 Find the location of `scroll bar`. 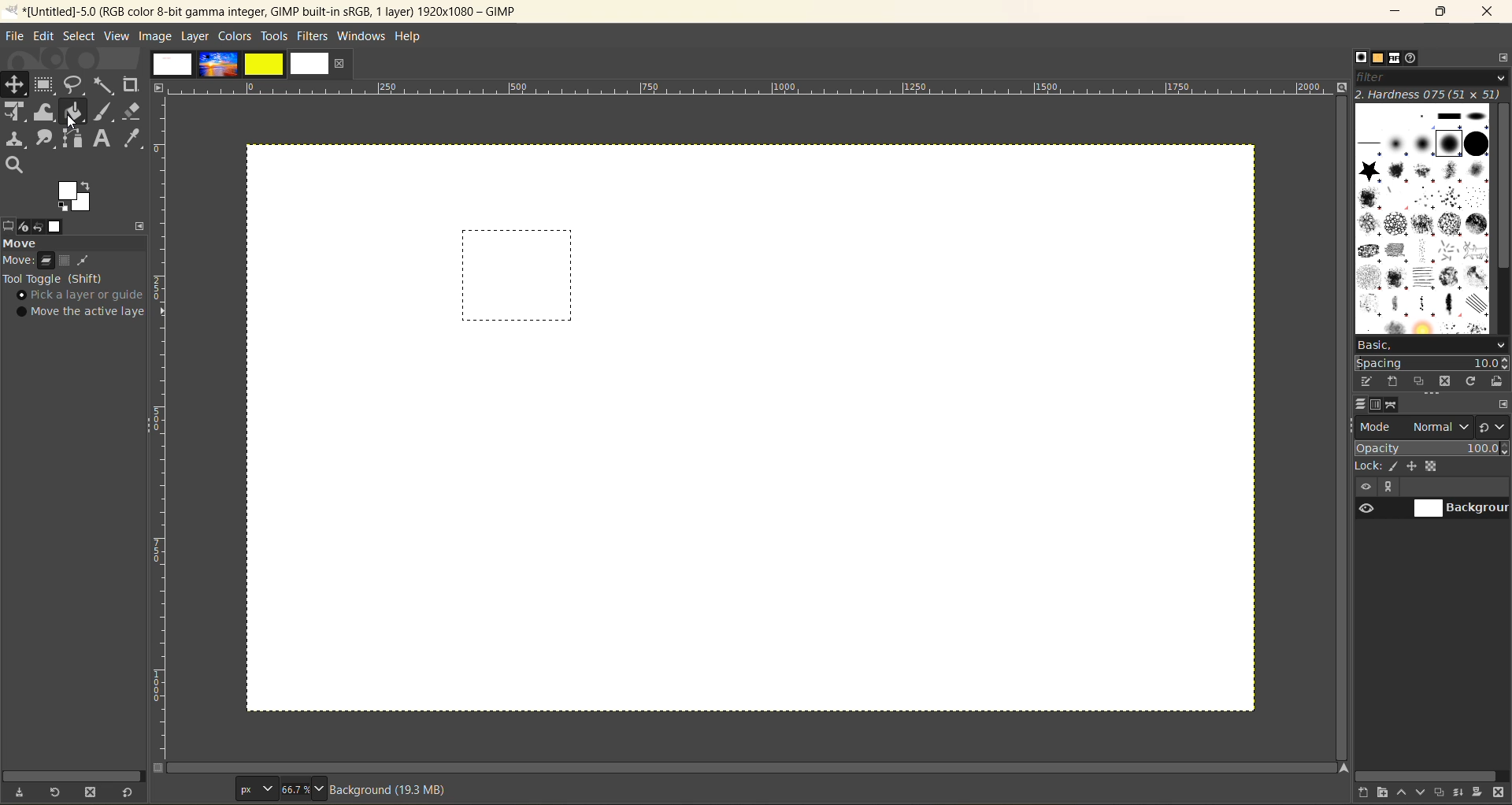

scroll bar is located at coordinates (755, 768).